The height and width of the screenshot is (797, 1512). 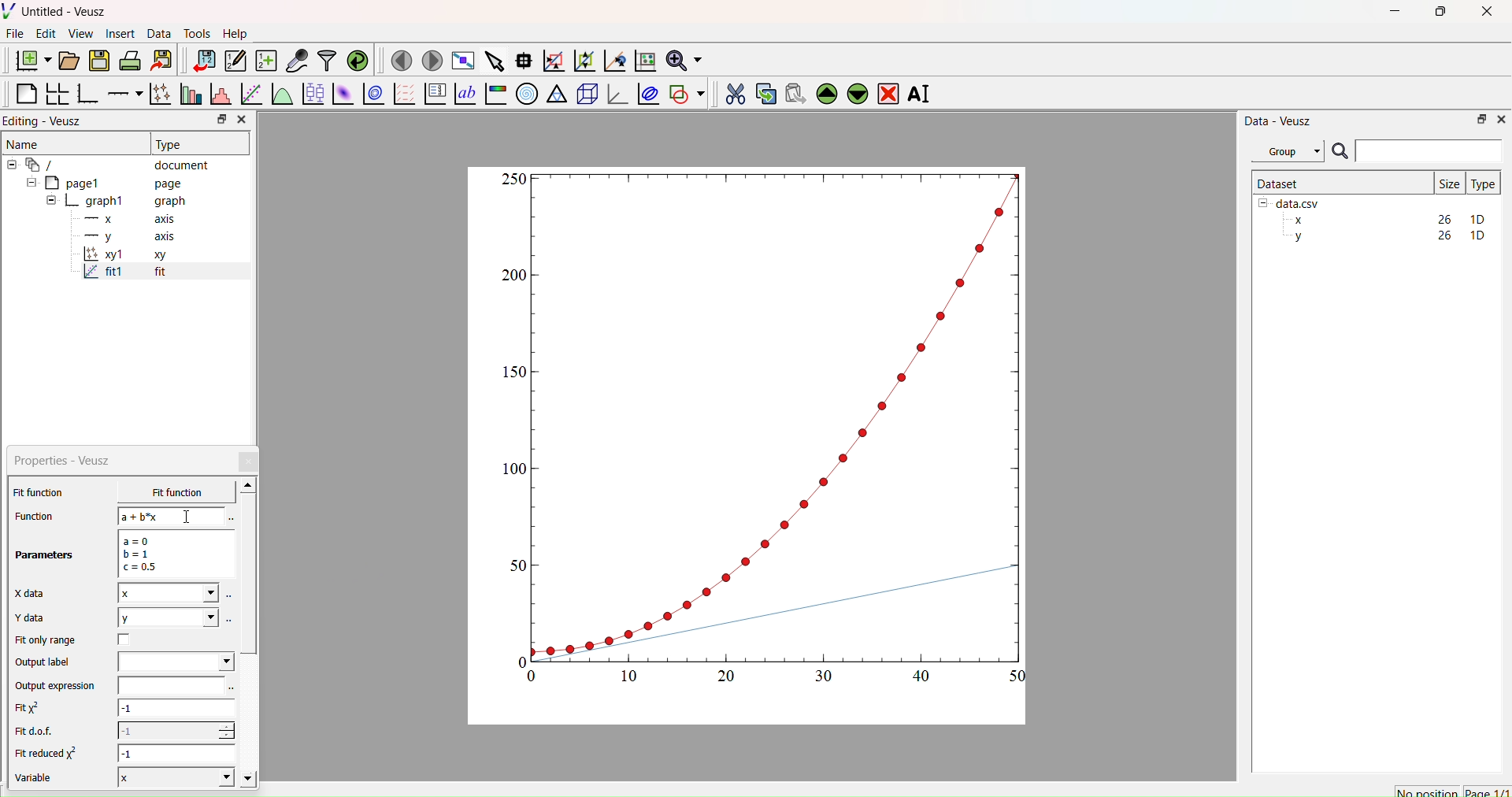 What do you see at coordinates (178, 753) in the screenshot?
I see `-1` at bounding box center [178, 753].